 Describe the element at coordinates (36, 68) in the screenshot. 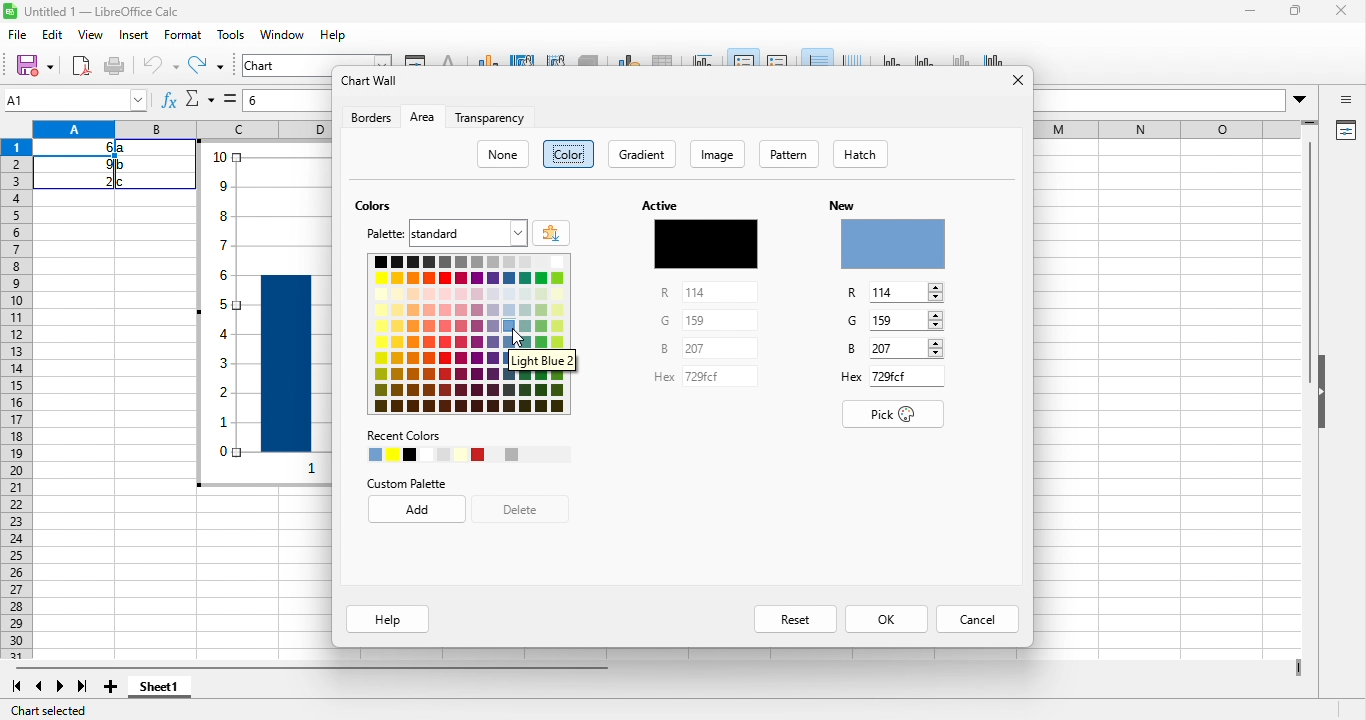

I see `save` at that location.